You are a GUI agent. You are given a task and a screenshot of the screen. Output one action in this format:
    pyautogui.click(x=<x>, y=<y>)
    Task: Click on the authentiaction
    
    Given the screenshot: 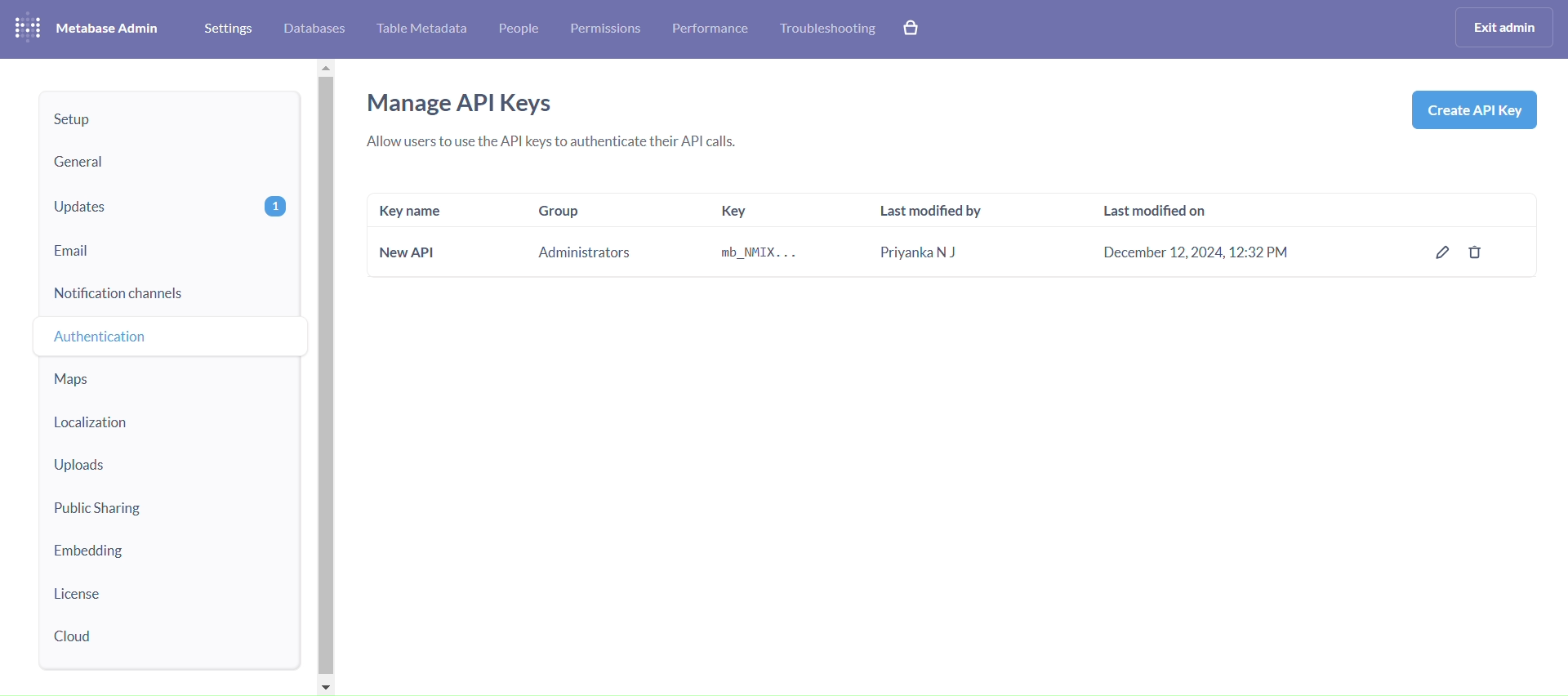 What is the action you would take?
    pyautogui.click(x=171, y=336)
    